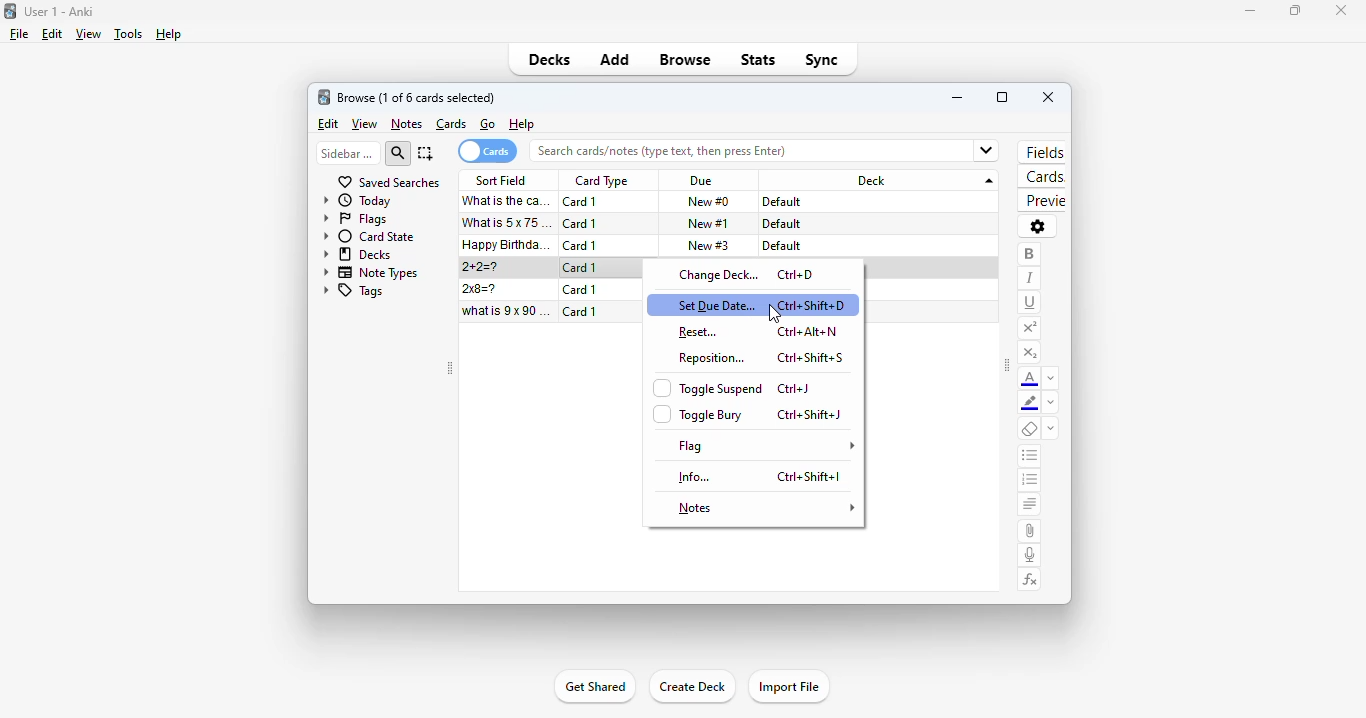  I want to click on attach pictures/audio/video, so click(1029, 531).